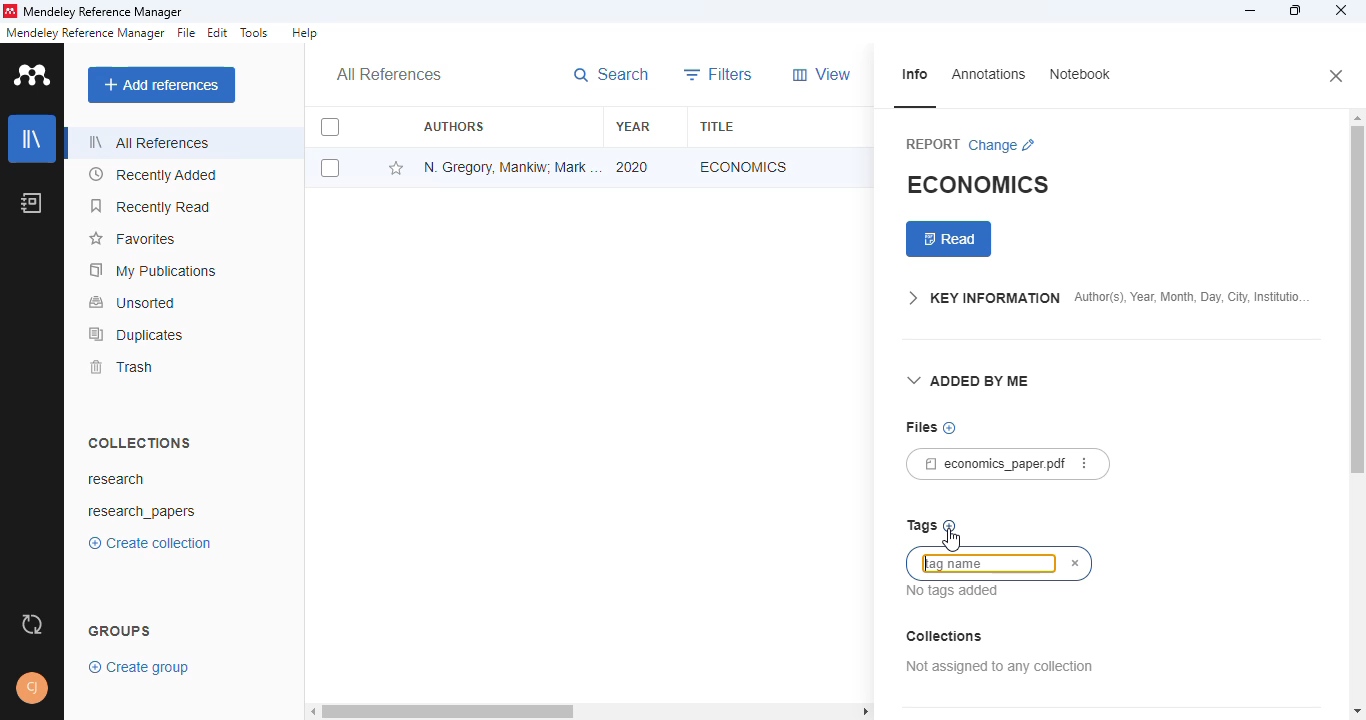  I want to click on adding the tag, so click(984, 567).